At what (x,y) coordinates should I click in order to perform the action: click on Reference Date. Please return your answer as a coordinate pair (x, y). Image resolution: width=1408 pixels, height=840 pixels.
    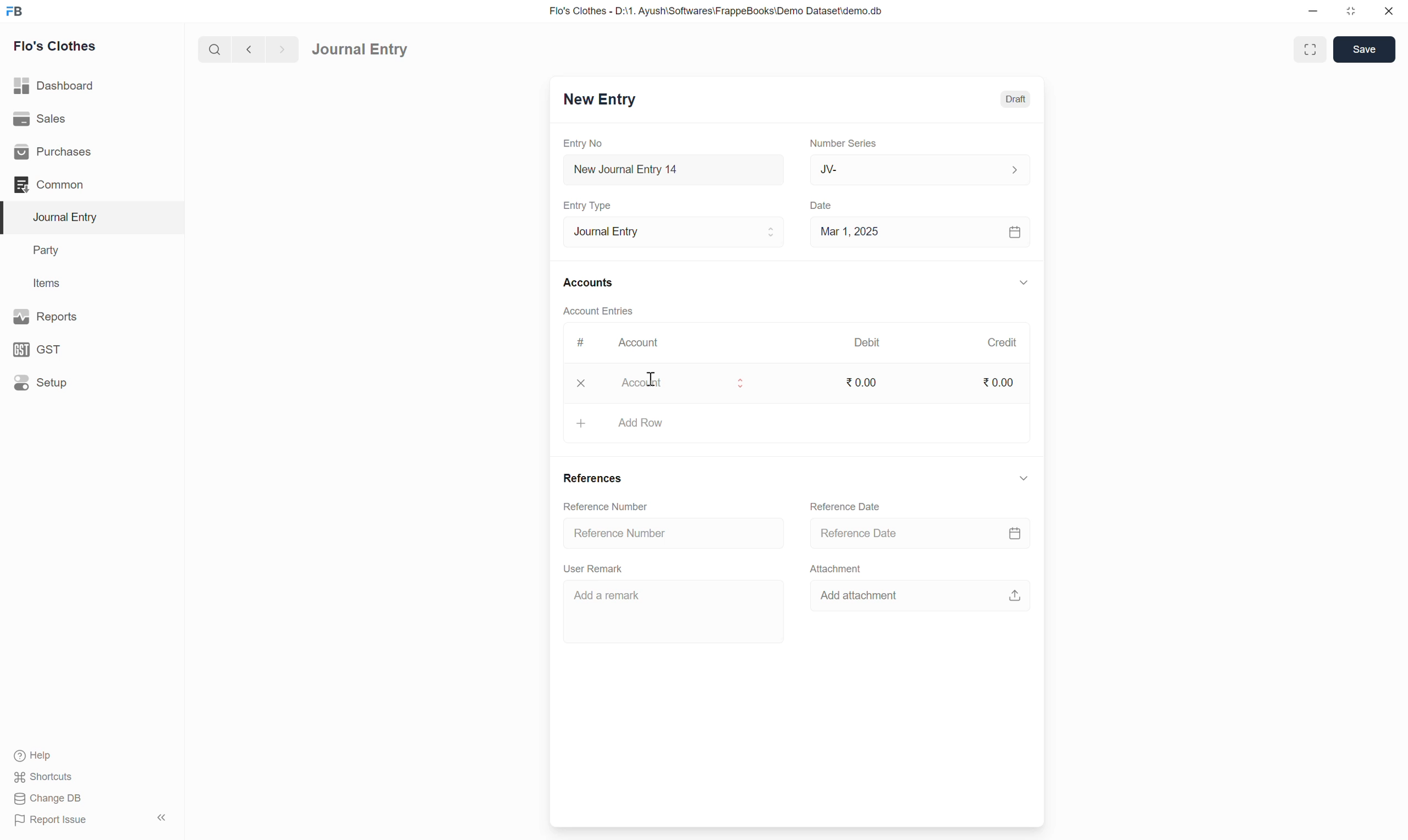
    Looking at the image, I should click on (847, 507).